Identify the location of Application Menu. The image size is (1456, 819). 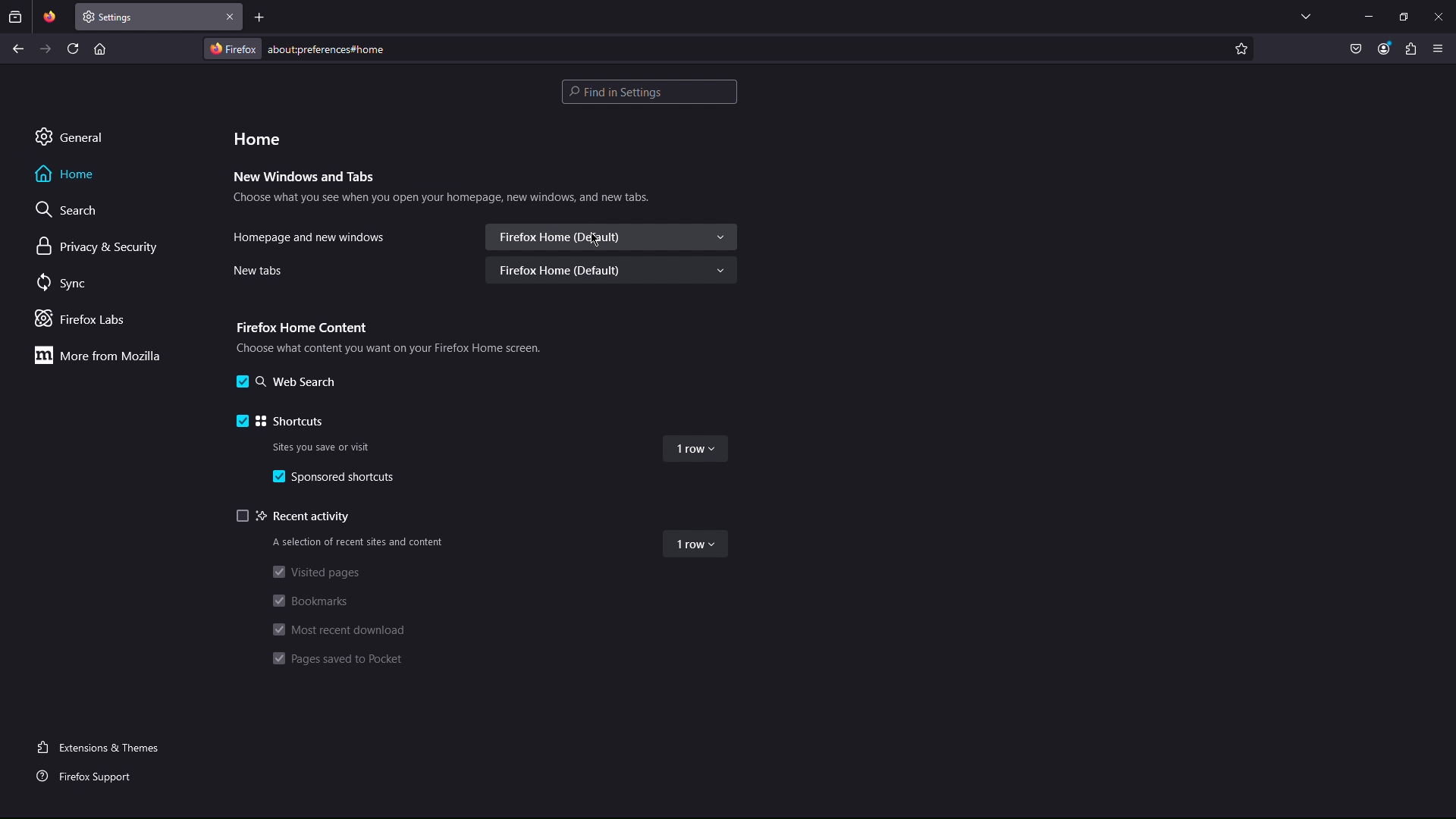
(1439, 50).